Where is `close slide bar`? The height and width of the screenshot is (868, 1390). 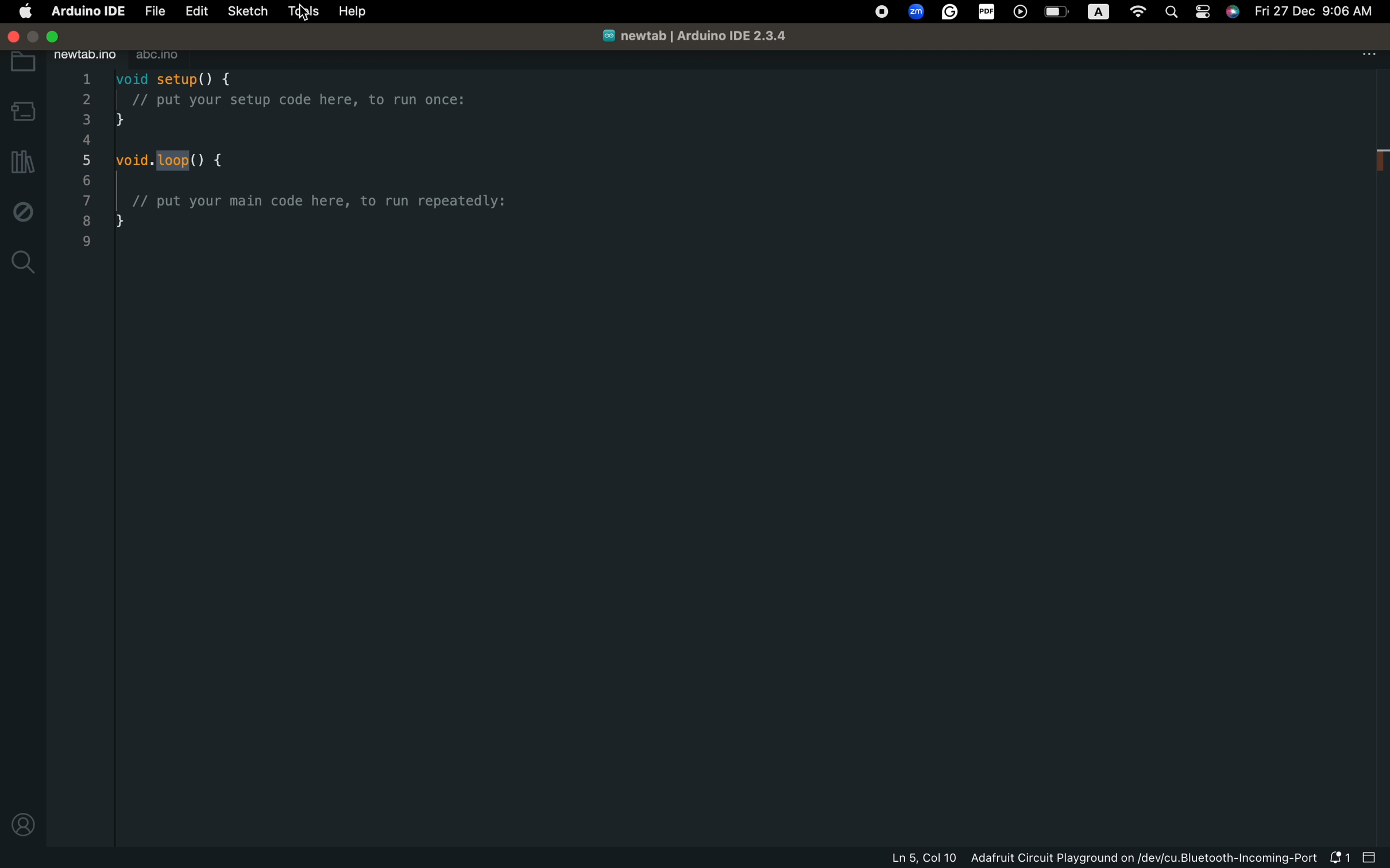
close slide bar is located at coordinates (1371, 857).